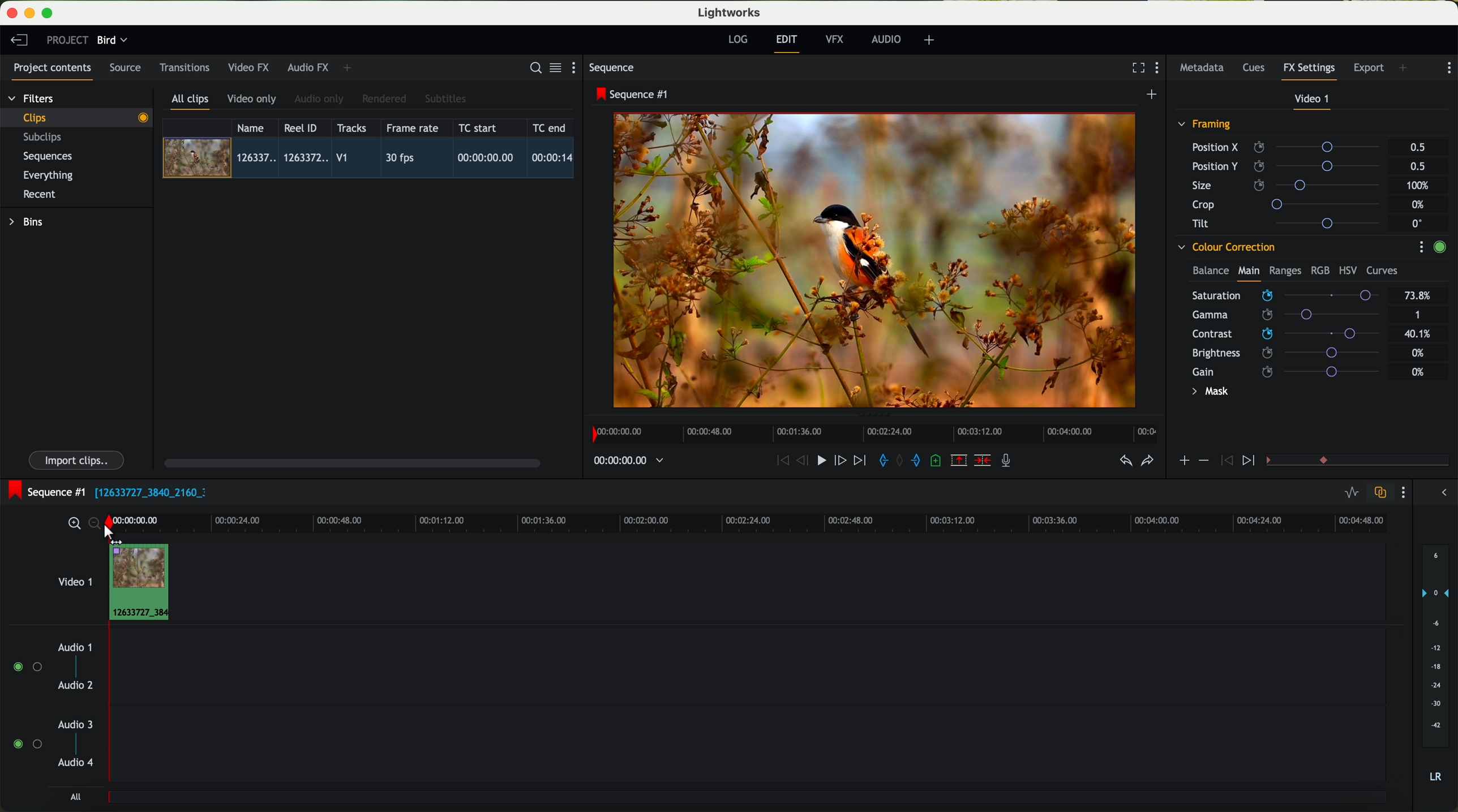 Image resolution: width=1458 pixels, height=812 pixels. I want to click on source, so click(125, 68).